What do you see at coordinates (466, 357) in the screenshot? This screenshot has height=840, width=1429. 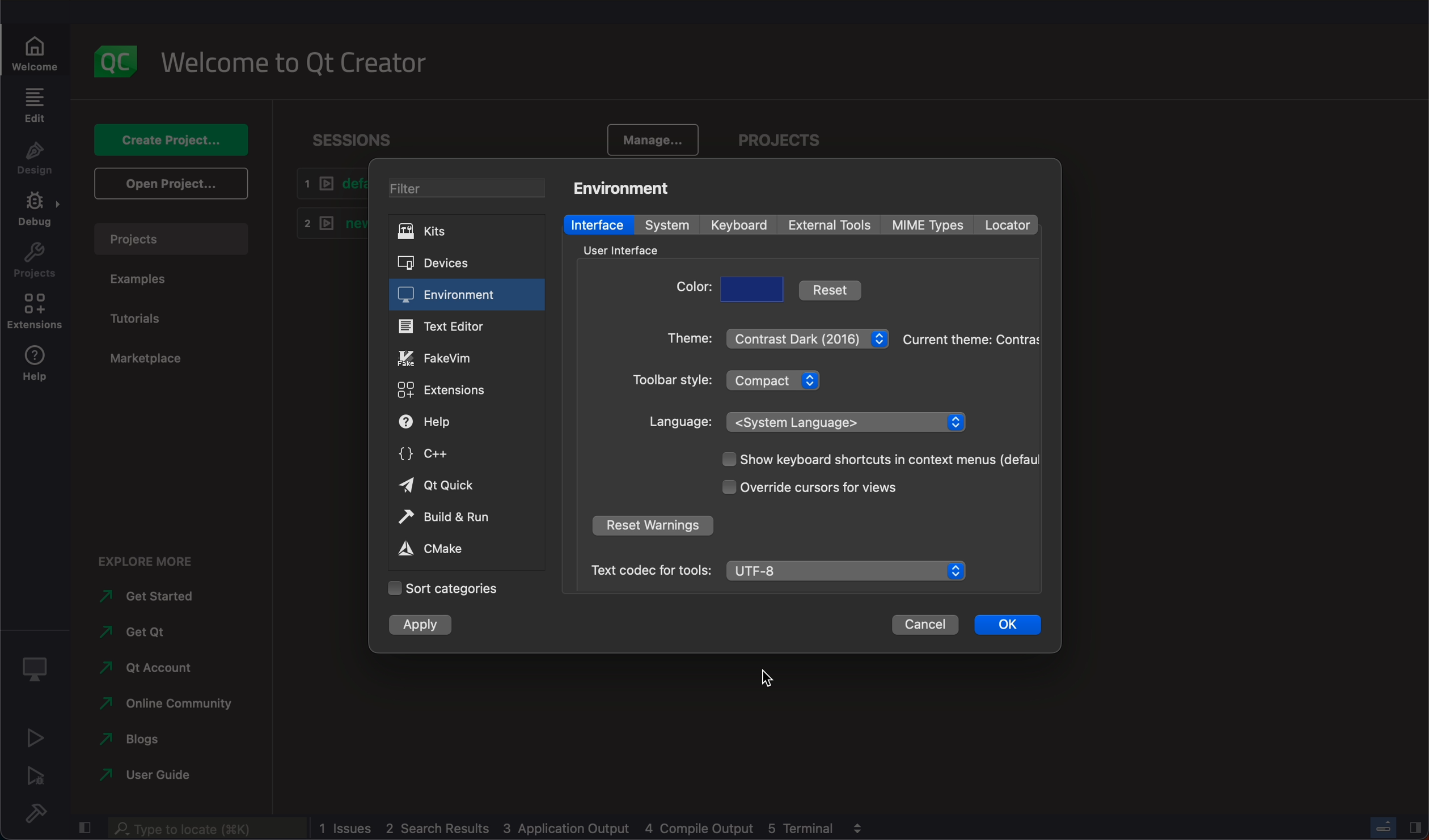 I see `fake vim` at bounding box center [466, 357].